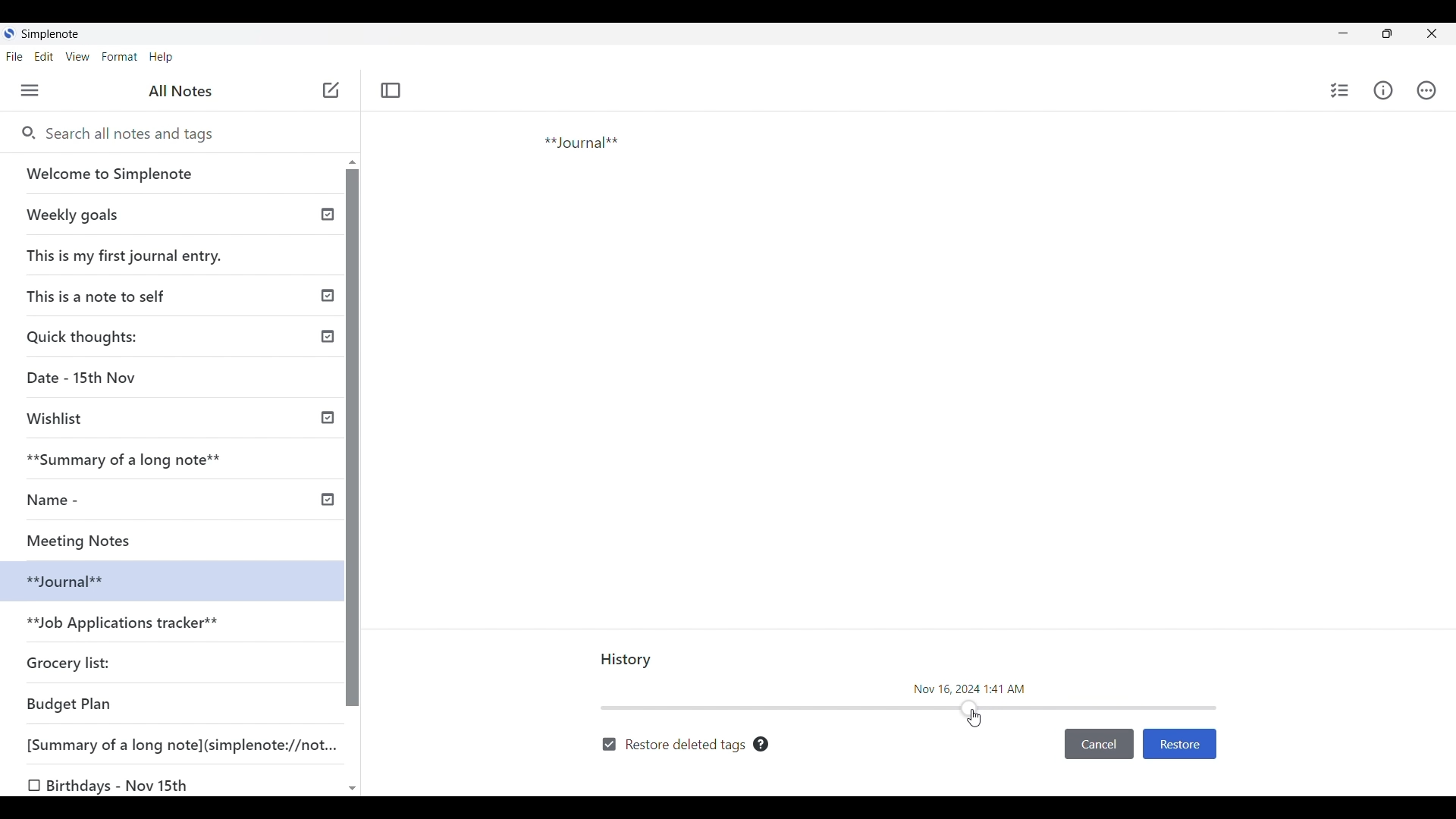 The width and height of the screenshot is (1456, 819). Describe the element at coordinates (644, 199) in the screenshot. I see `Journal` at that location.